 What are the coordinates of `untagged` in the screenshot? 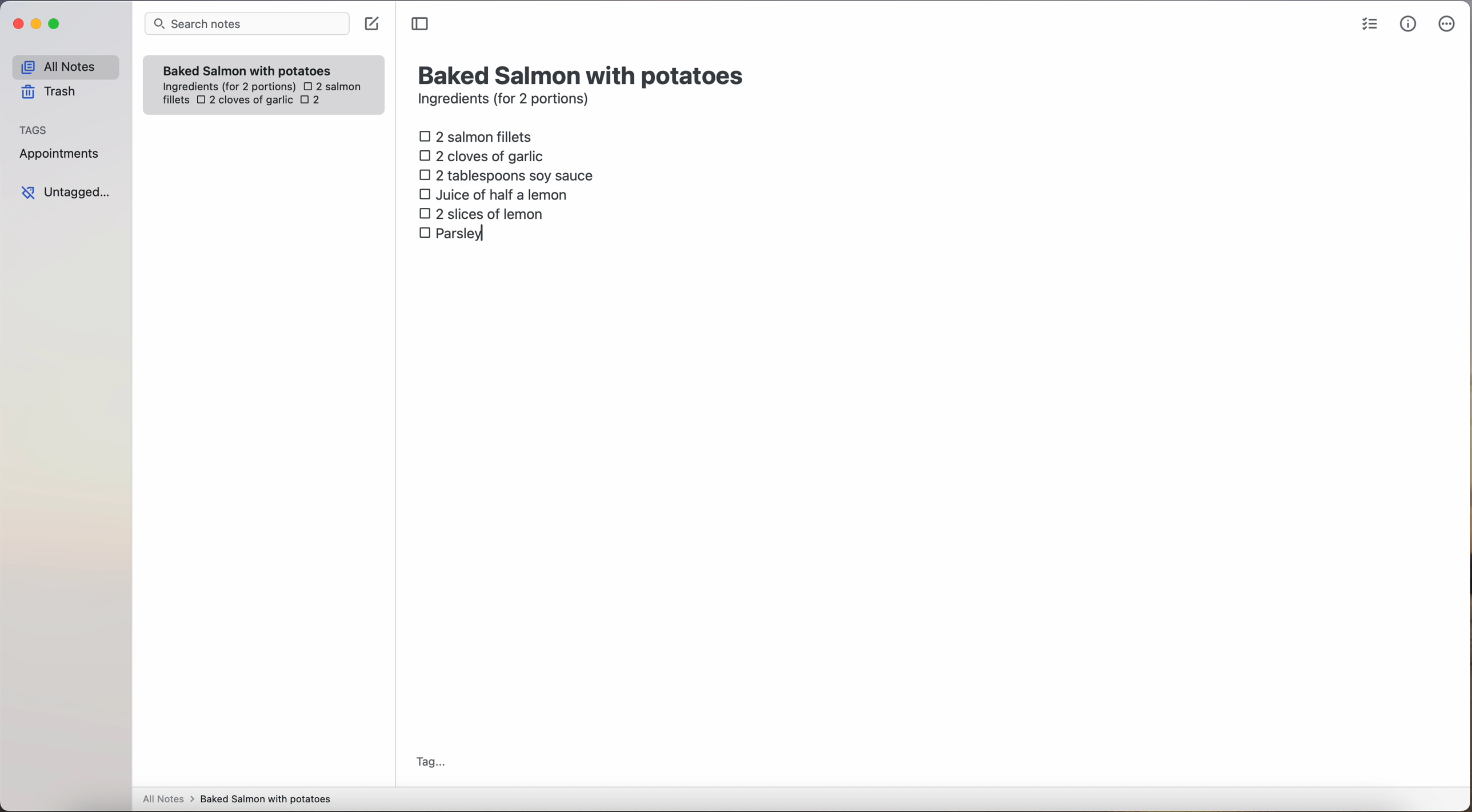 It's located at (67, 192).